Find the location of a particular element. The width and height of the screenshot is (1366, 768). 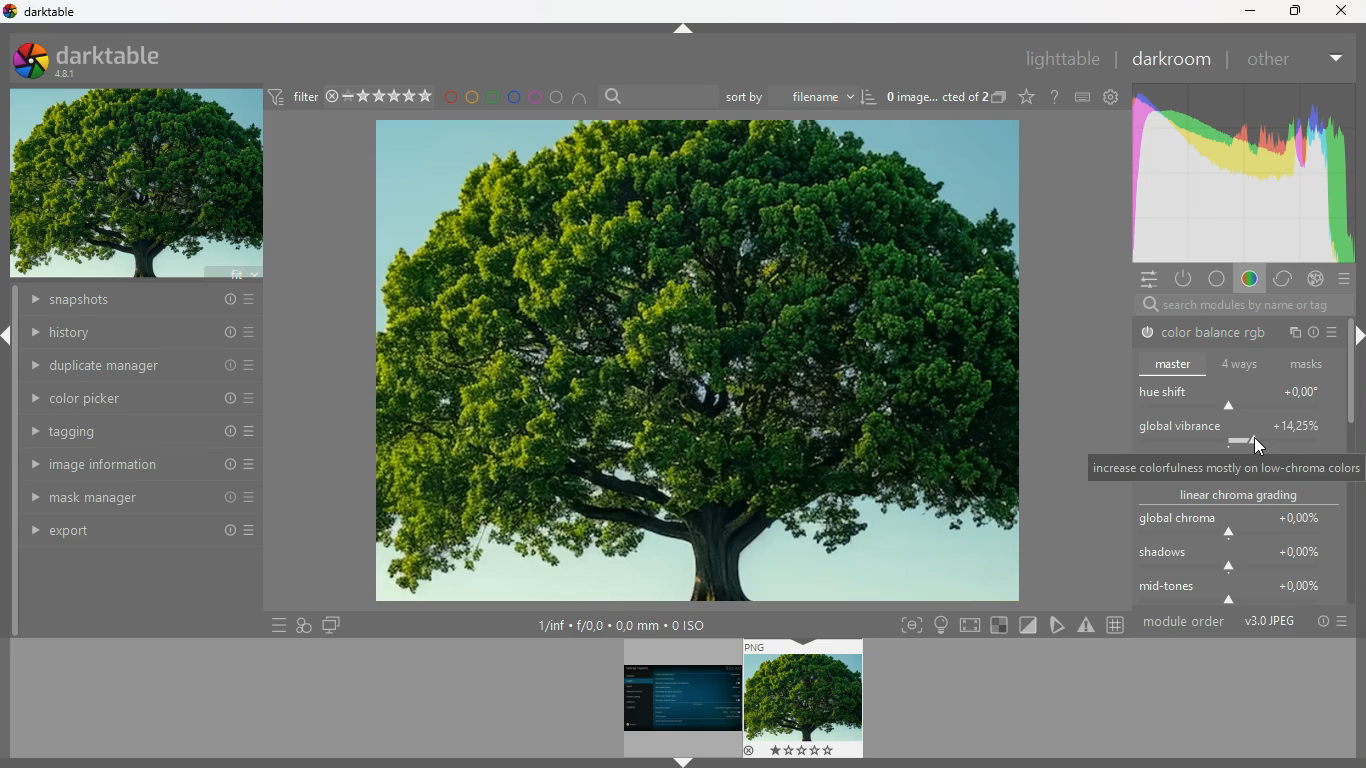

circle is located at coordinates (558, 98).